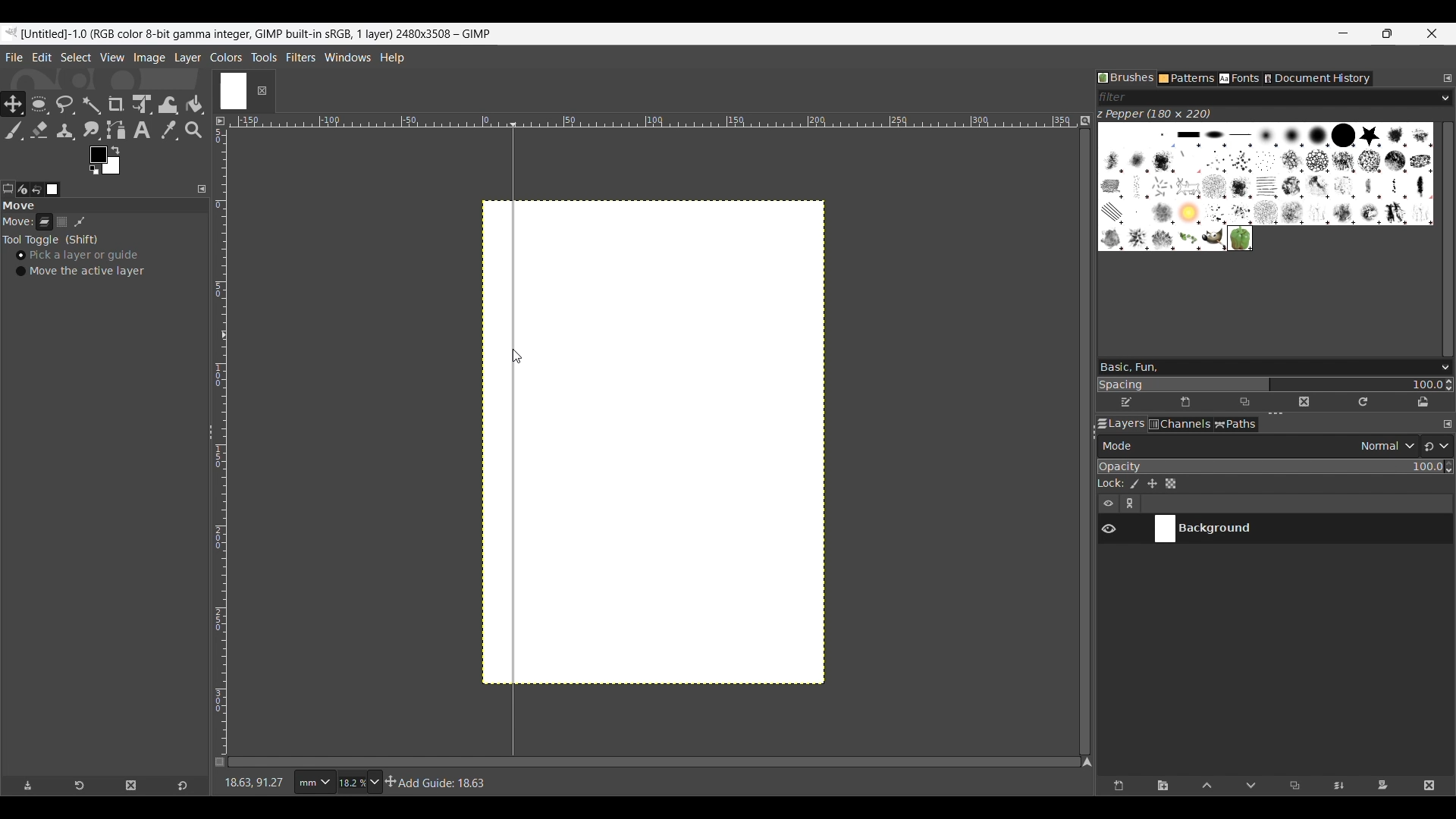  I want to click on Indicates lock settings, so click(1111, 483).